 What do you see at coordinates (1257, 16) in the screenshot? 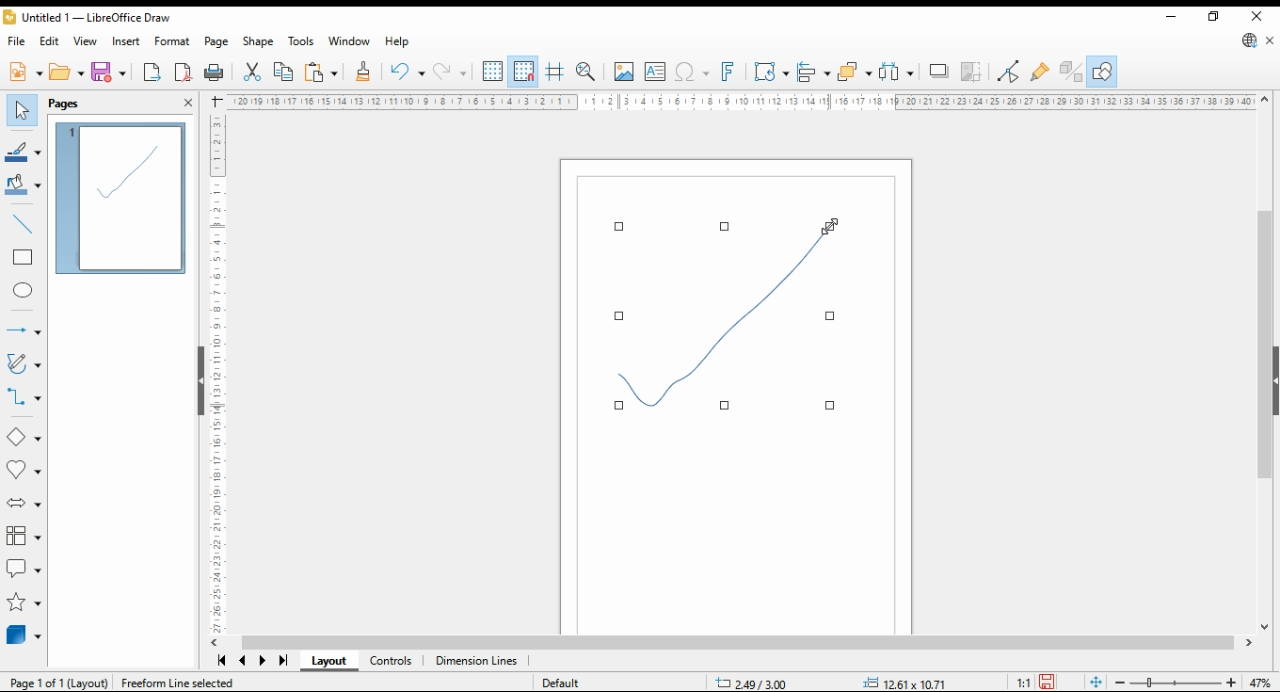
I see `close` at bounding box center [1257, 16].